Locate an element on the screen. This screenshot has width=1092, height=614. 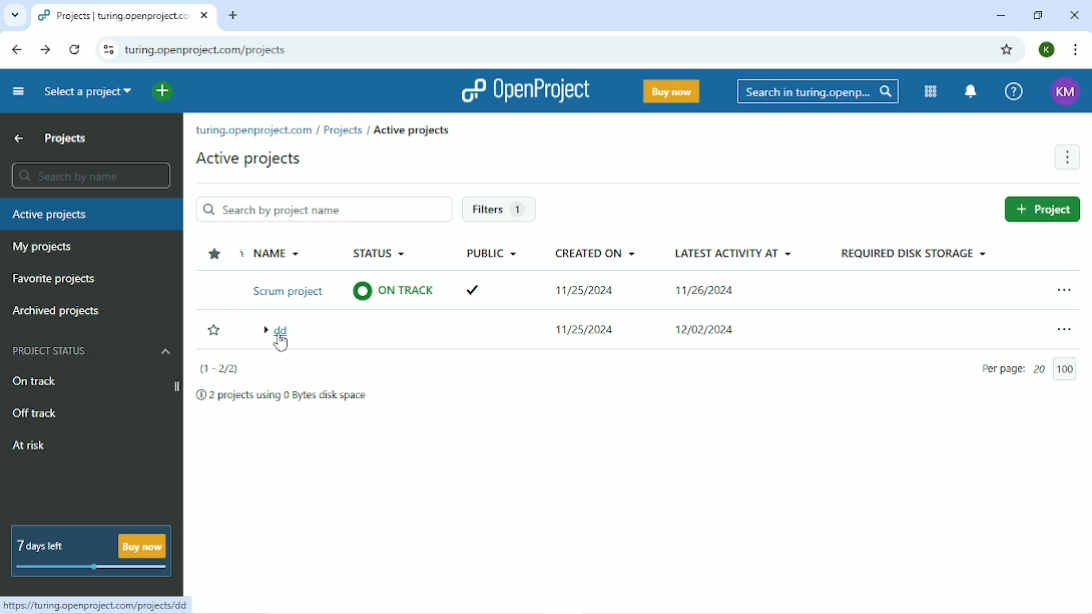
Collapse project menu is located at coordinates (18, 91).